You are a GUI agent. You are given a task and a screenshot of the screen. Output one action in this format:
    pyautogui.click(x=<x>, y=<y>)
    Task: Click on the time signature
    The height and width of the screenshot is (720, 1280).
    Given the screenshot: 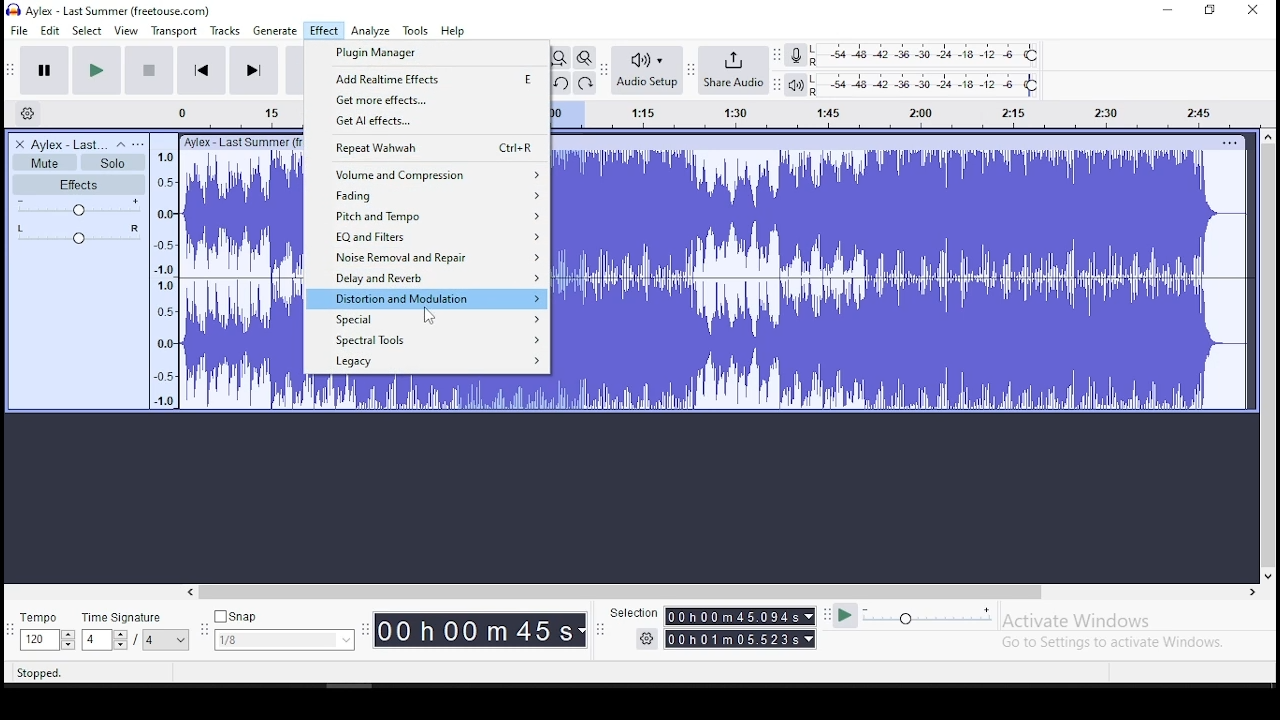 What is the action you would take?
    pyautogui.click(x=136, y=633)
    